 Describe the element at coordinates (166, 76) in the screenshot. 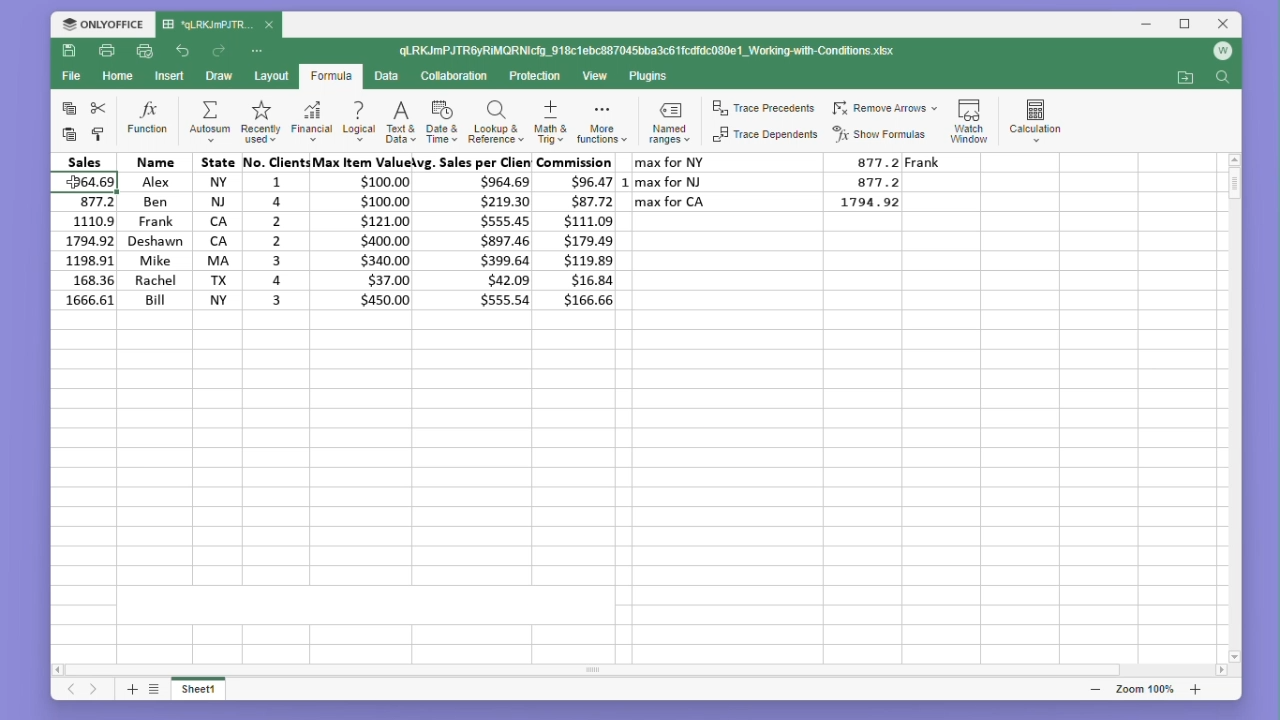

I see `Insert` at that location.